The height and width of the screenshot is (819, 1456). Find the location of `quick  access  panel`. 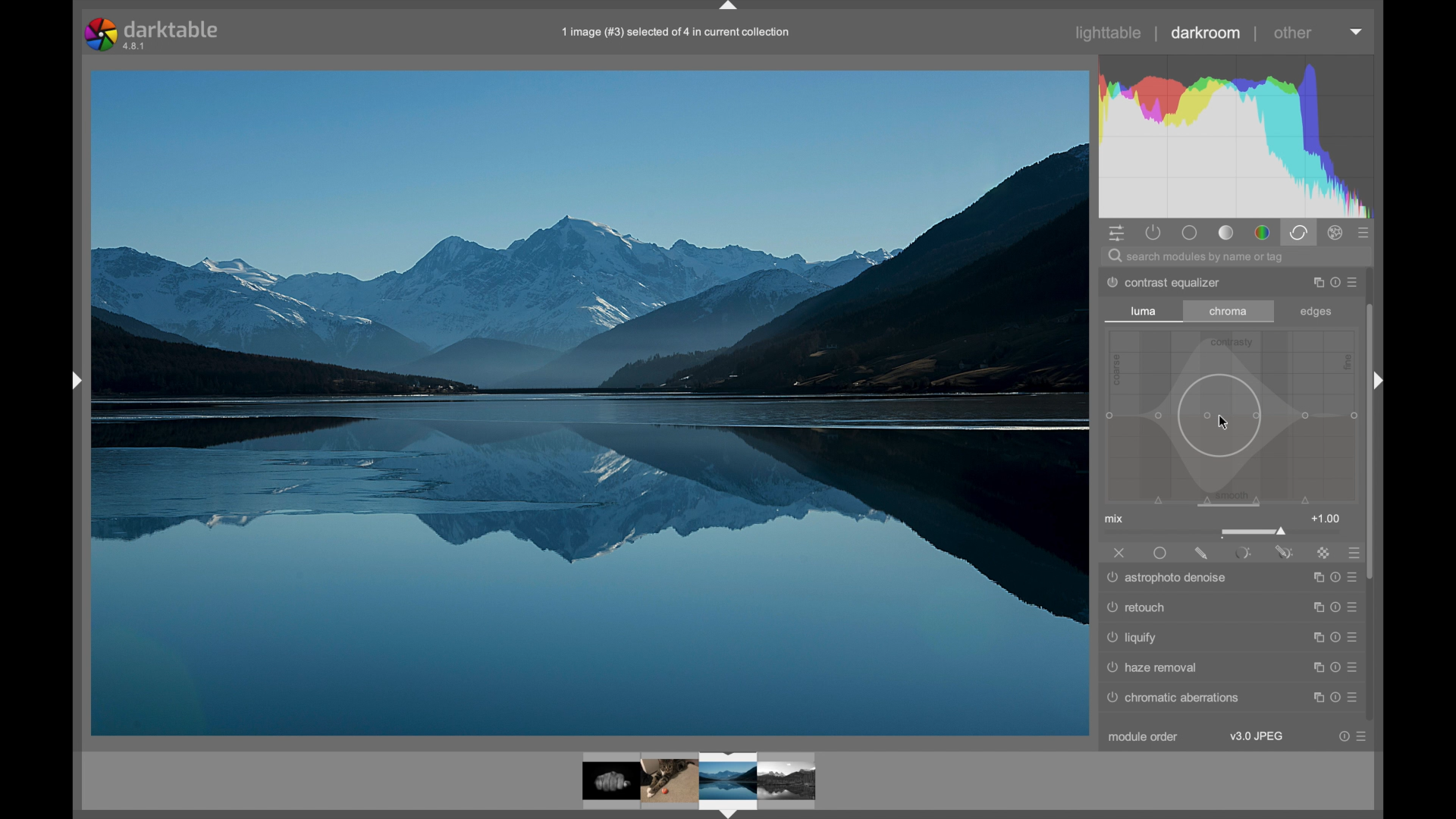

quick  access  panel is located at coordinates (1118, 233).